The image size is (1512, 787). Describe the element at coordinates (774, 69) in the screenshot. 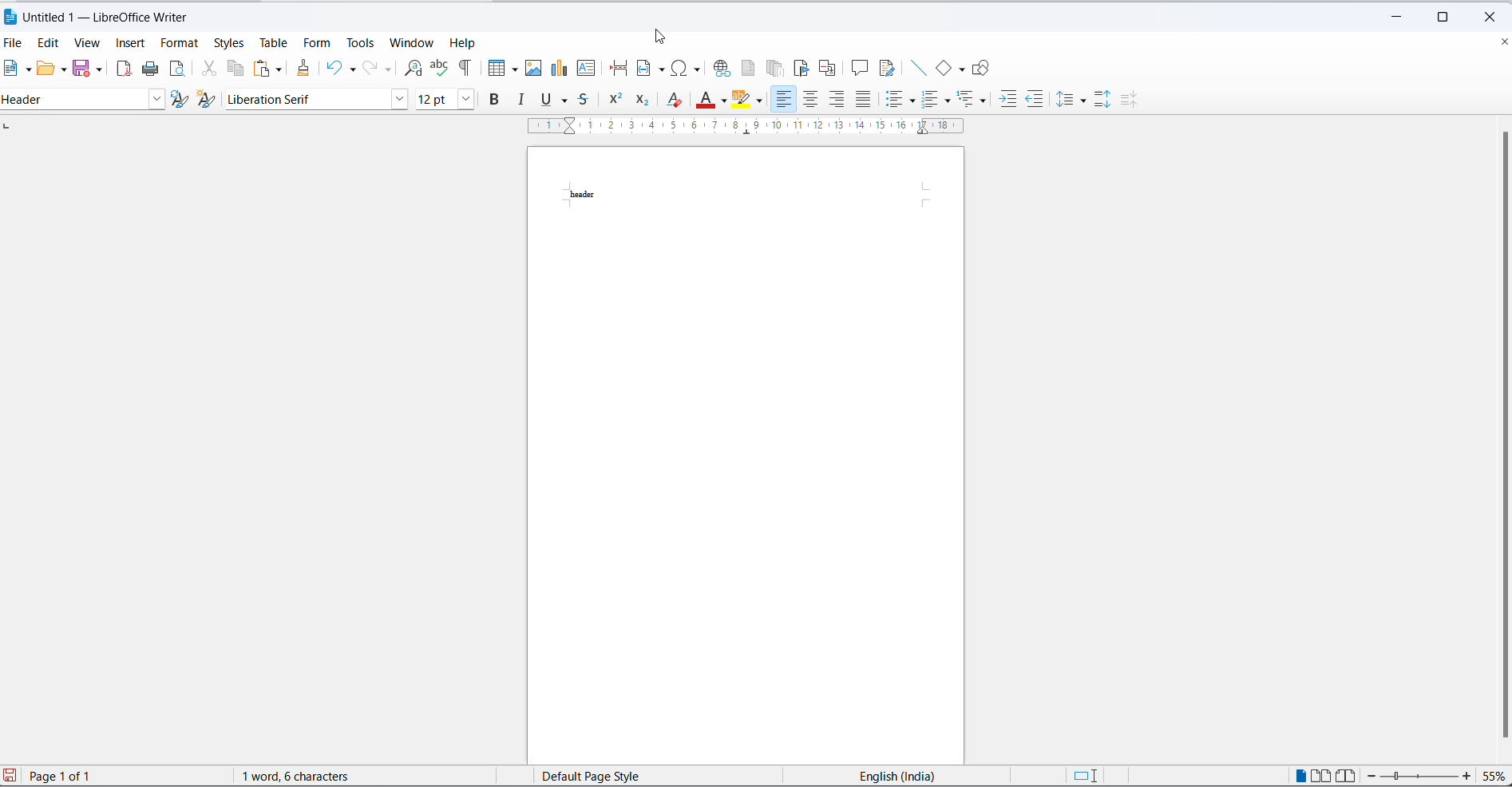

I see `insert endnote` at that location.